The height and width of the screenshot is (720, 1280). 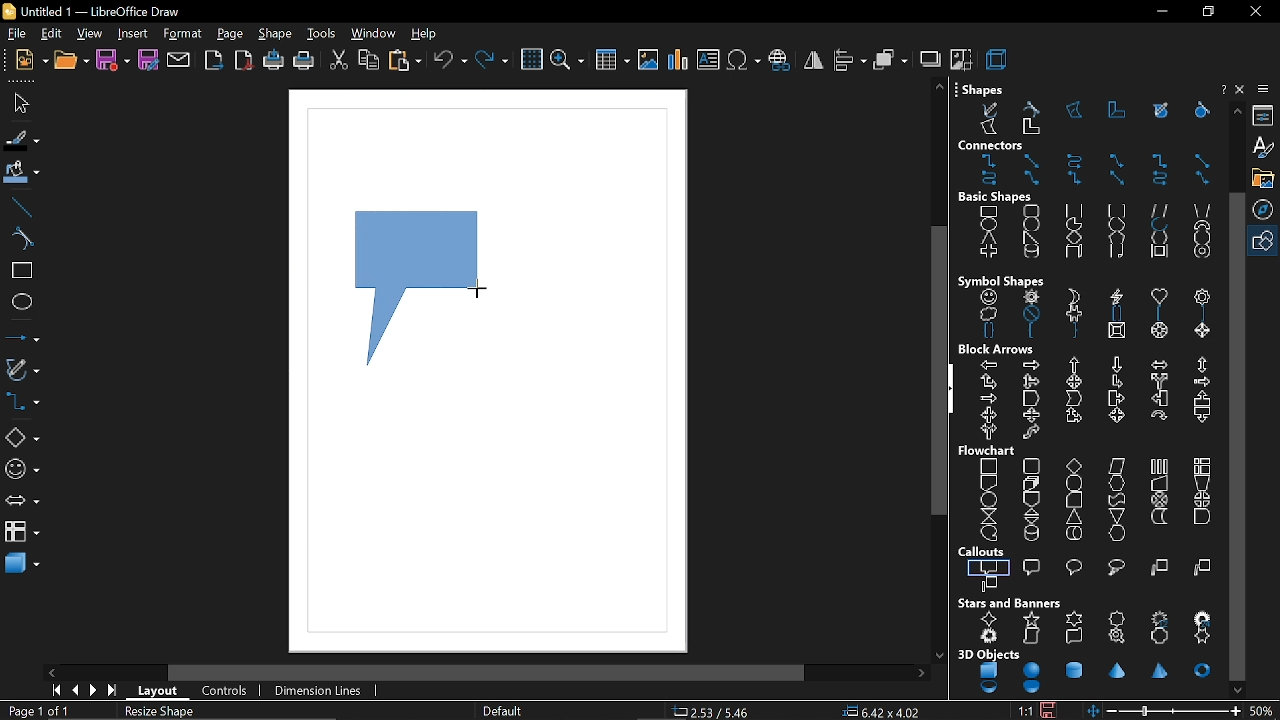 I want to click on 3d effect, so click(x=996, y=59).